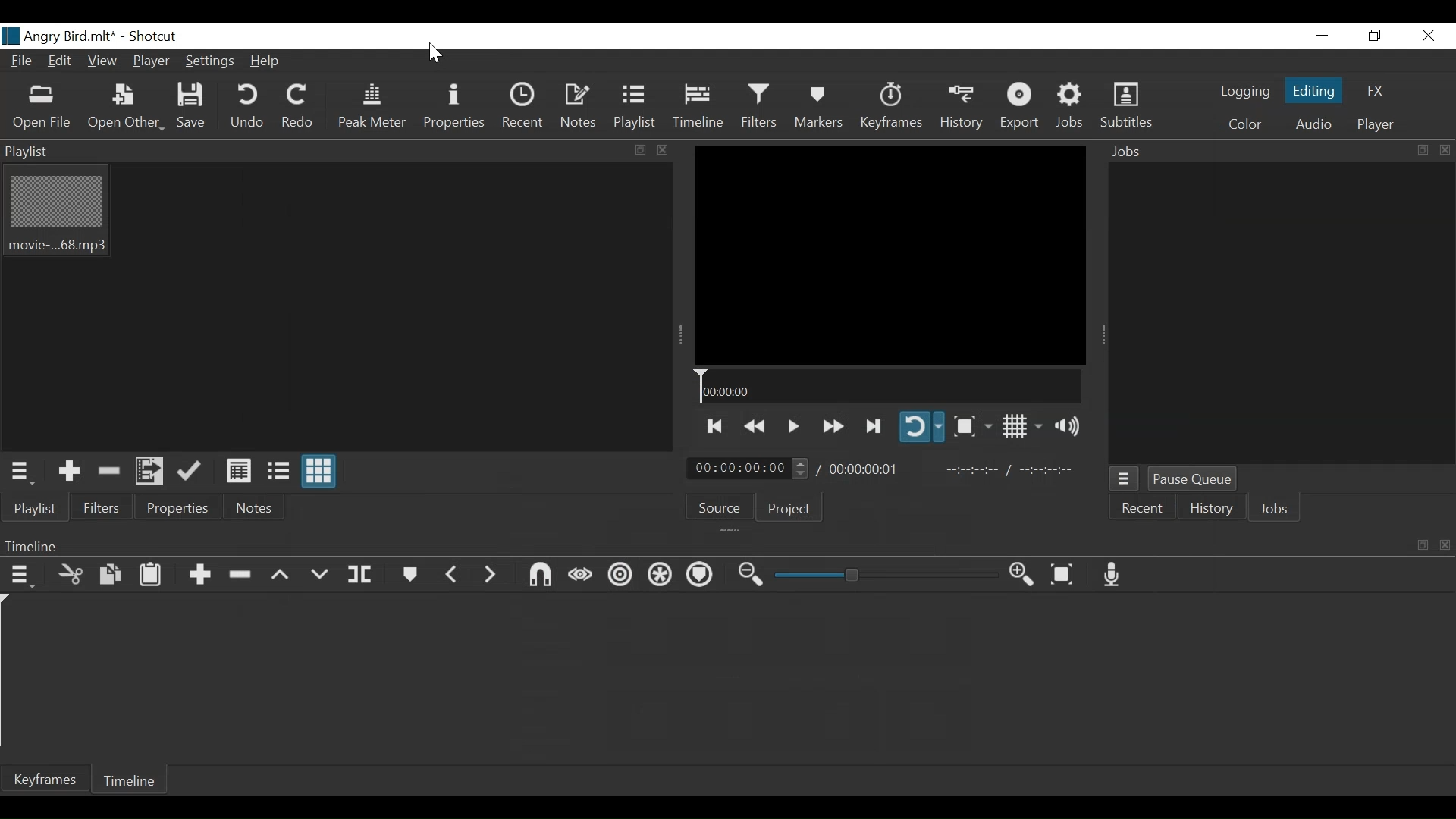 The image size is (1456, 819). What do you see at coordinates (1143, 508) in the screenshot?
I see `Recent` at bounding box center [1143, 508].